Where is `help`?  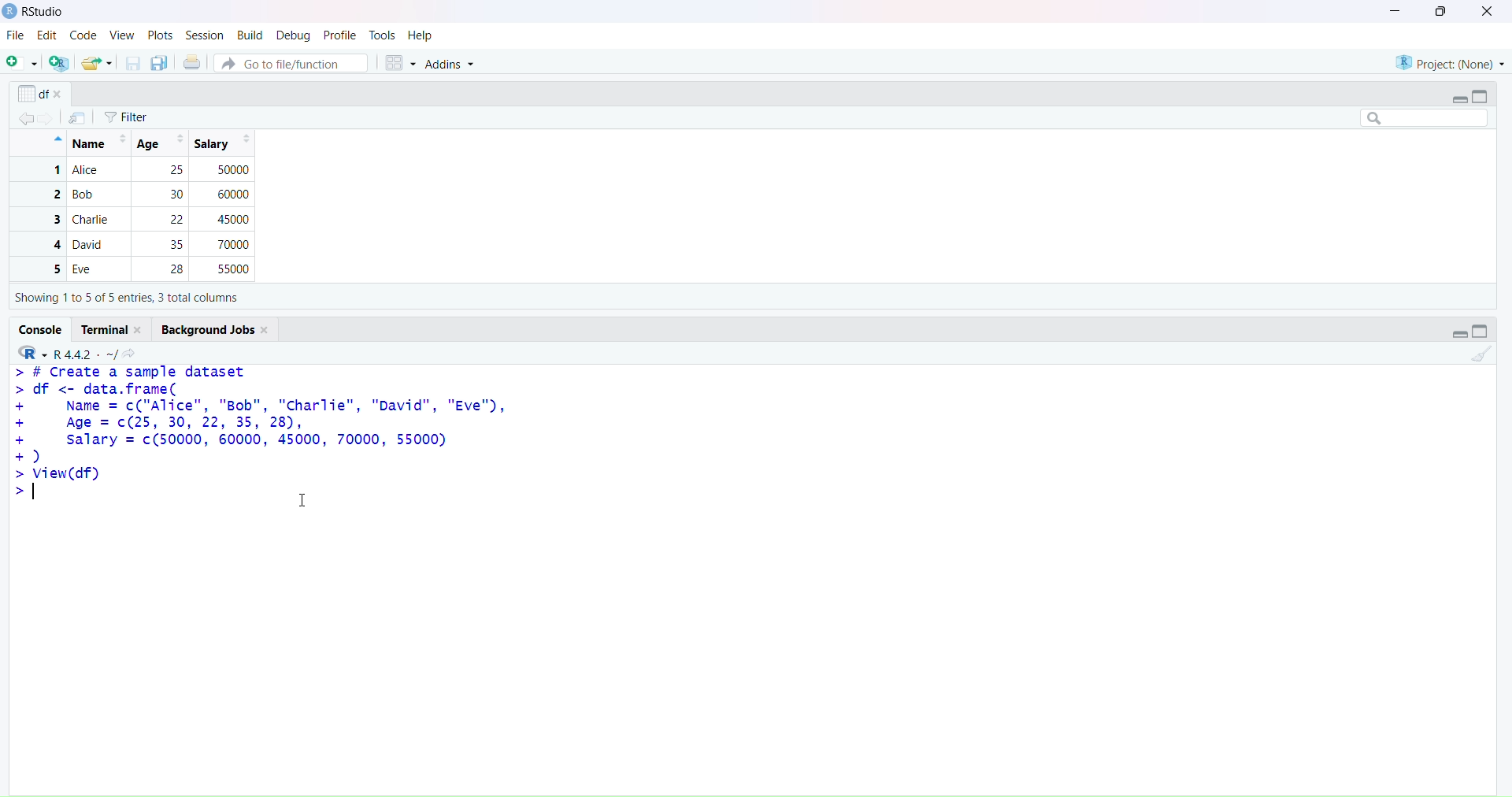
help is located at coordinates (423, 35).